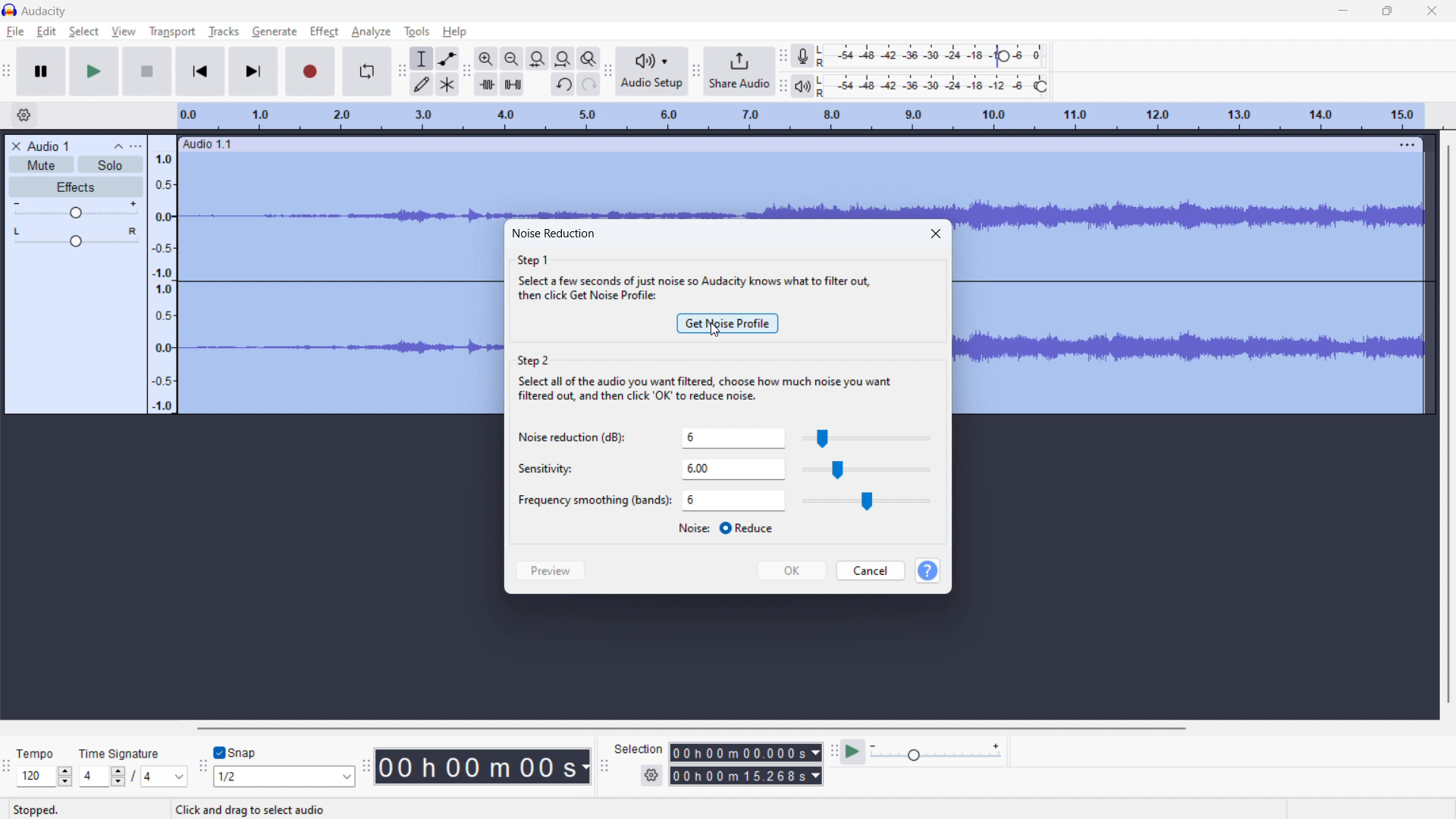  Describe the element at coordinates (511, 58) in the screenshot. I see `zoom out` at that location.